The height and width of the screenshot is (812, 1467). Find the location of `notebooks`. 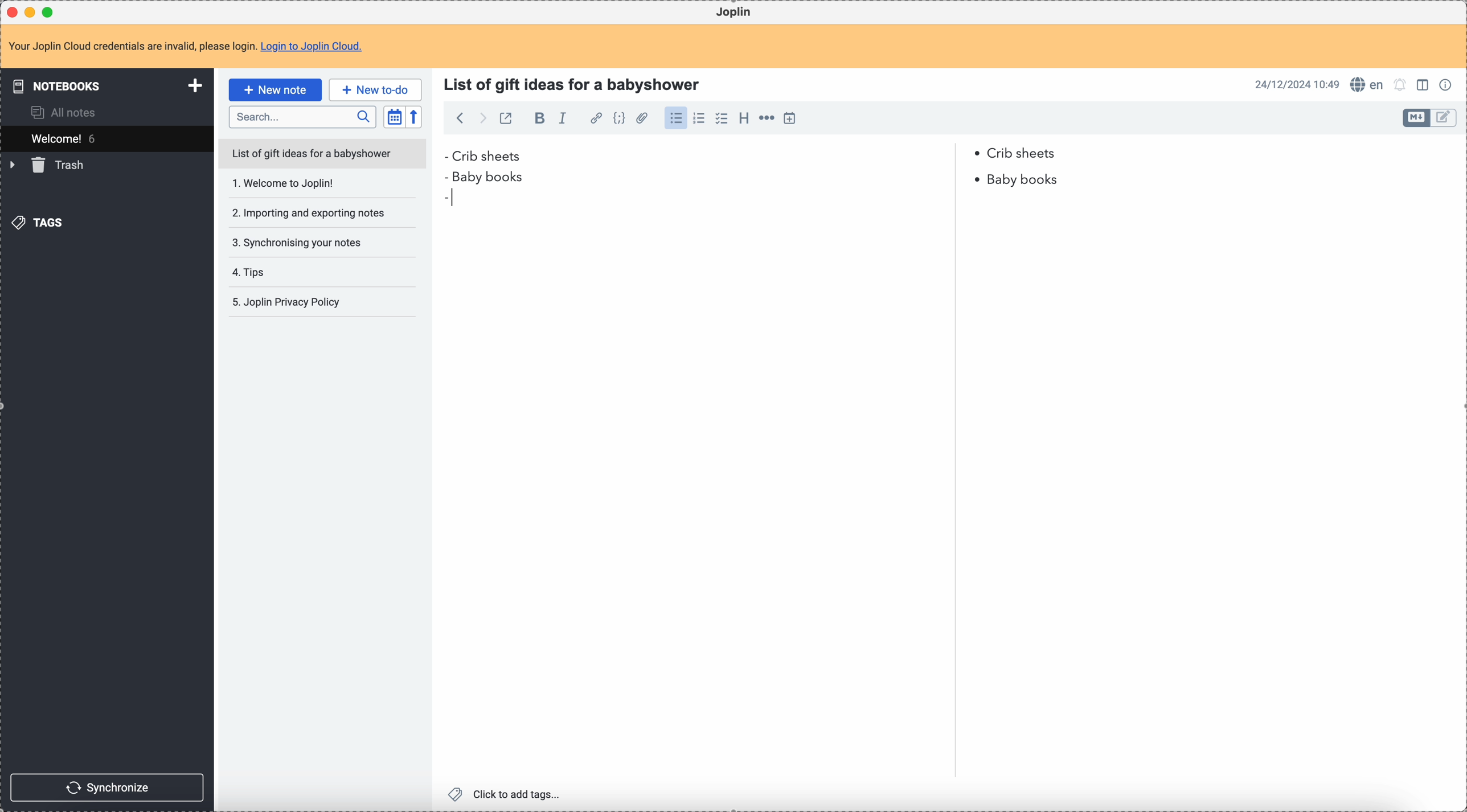

notebooks is located at coordinates (103, 87).